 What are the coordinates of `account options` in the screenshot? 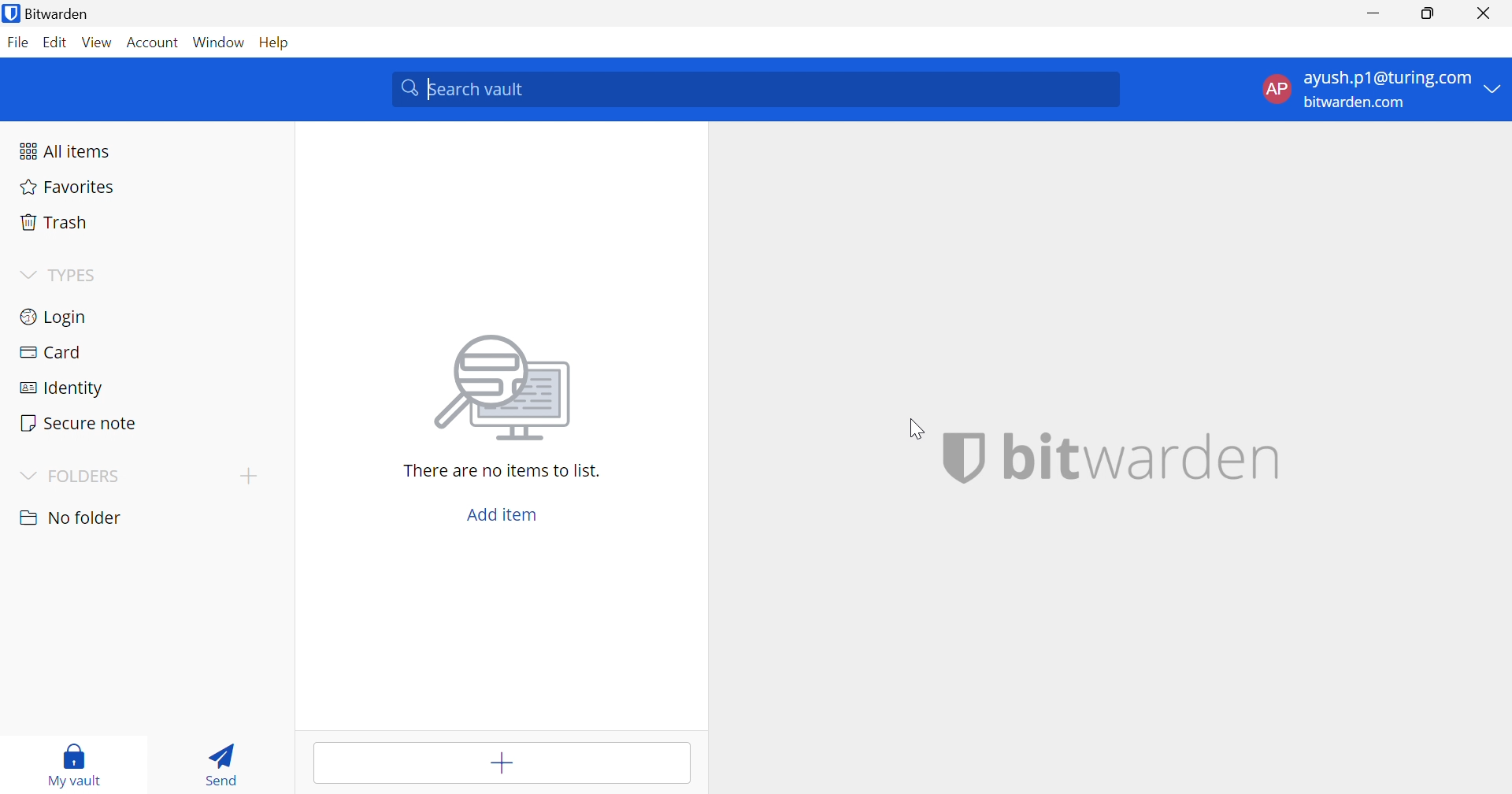 It's located at (1382, 88).